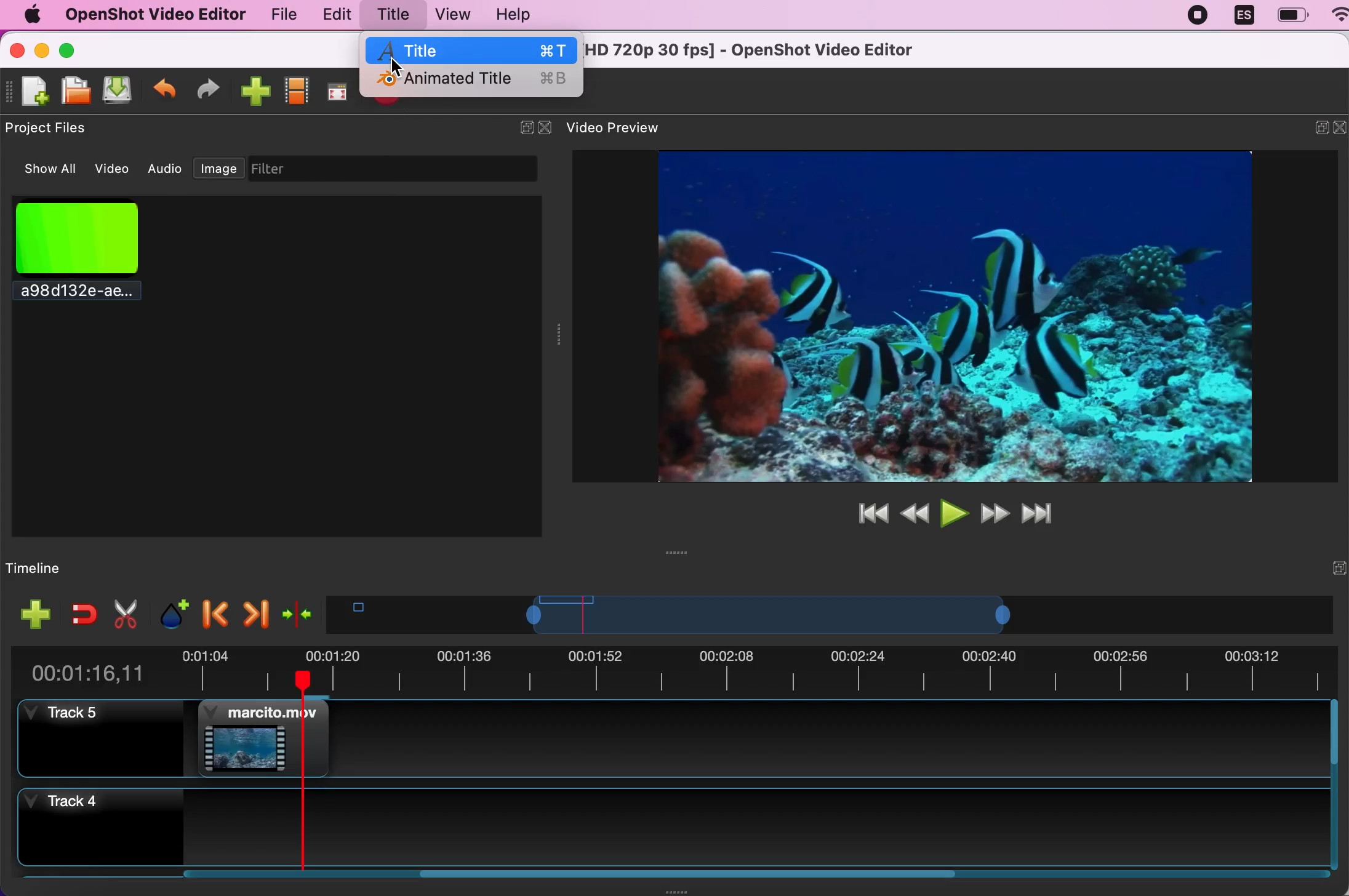  What do you see at coordinates (214, 89) in the screenshot?
I see `redo` at bounding box center [214, 89].